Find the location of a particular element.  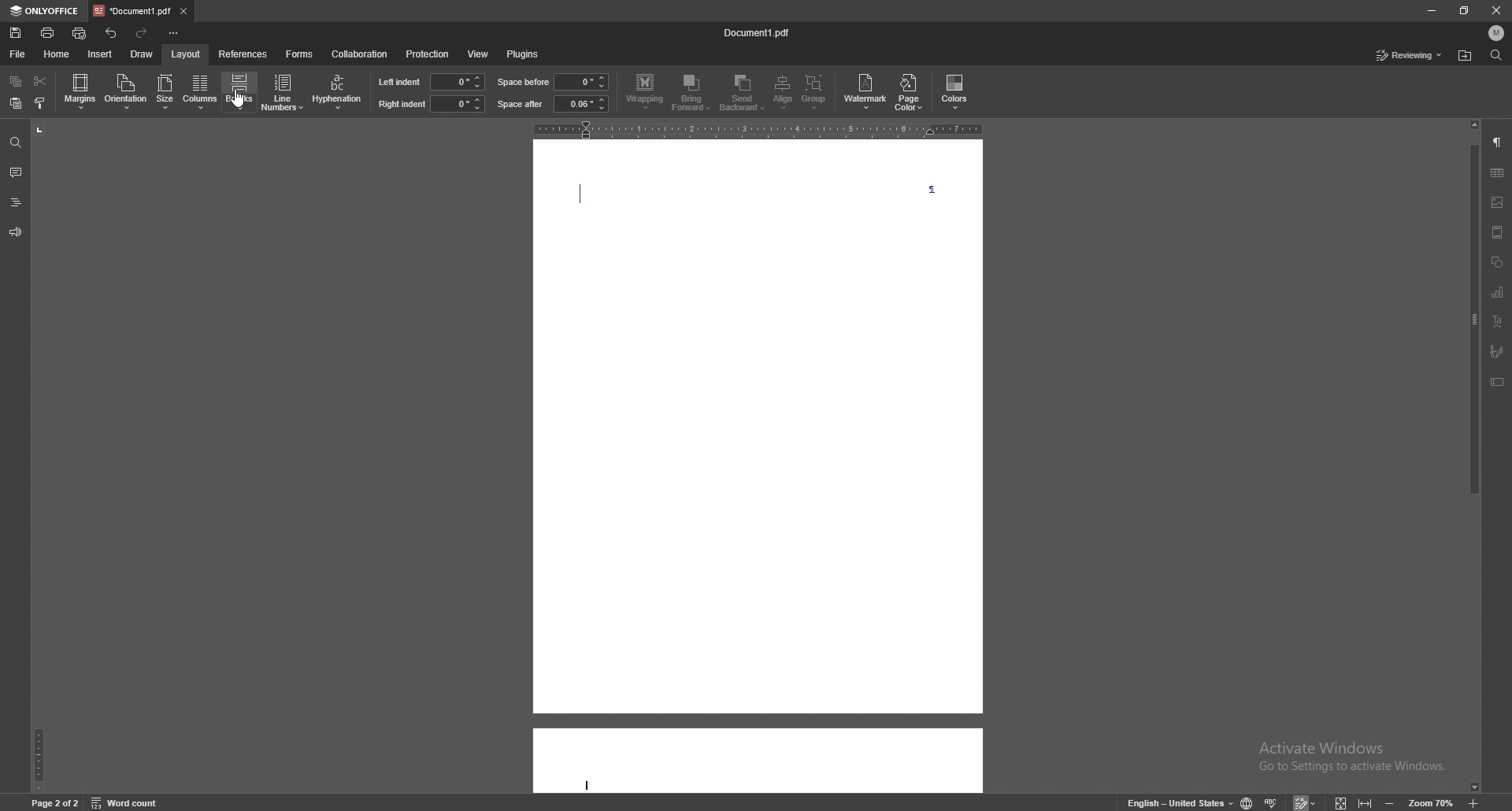

insert is located at coordinates (101, 55).